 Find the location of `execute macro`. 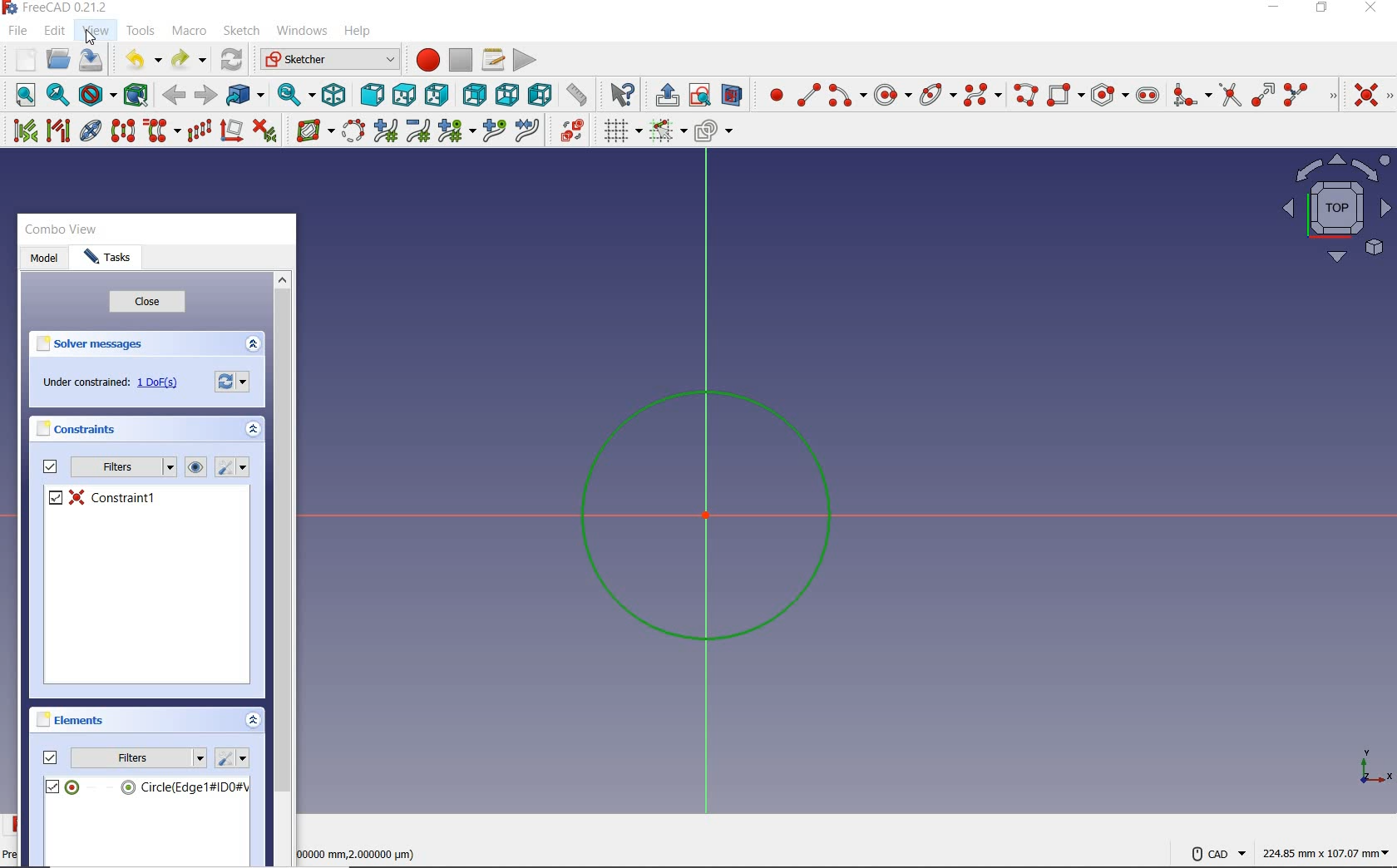

execute macro is located at coordinates (527, 57).